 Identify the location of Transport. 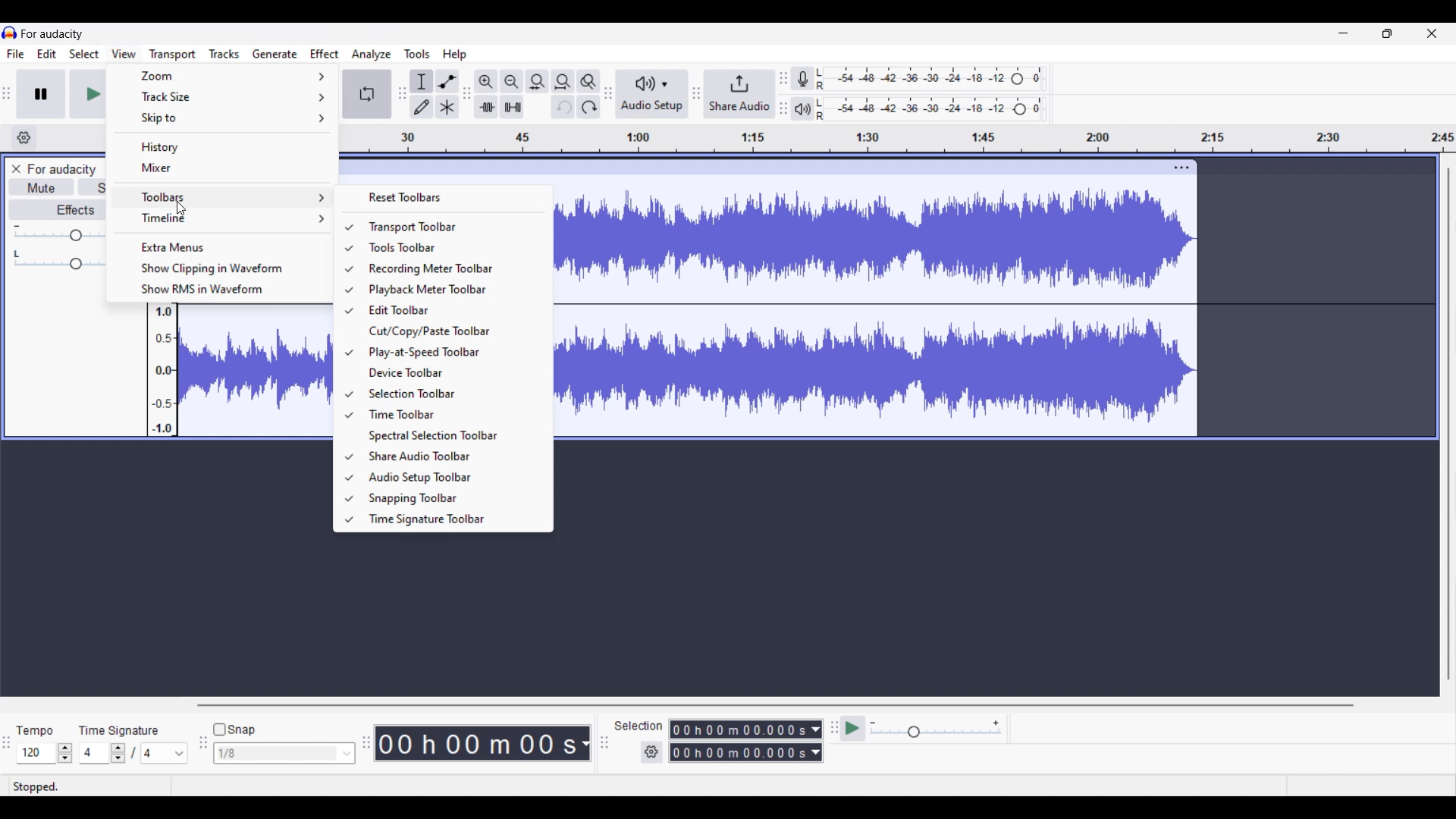
(173, 55).